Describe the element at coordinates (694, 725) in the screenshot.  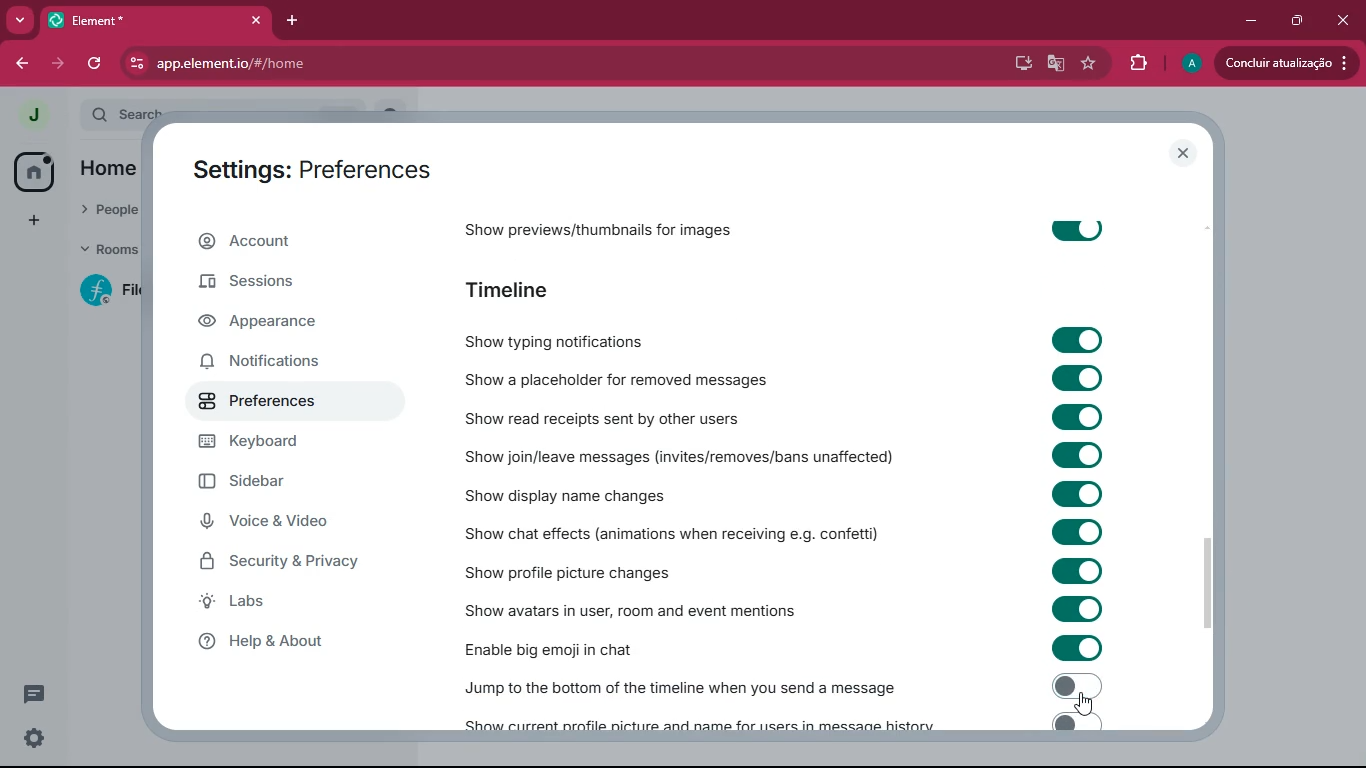
I see `show current  profile picture and name for users in message history` at that location.